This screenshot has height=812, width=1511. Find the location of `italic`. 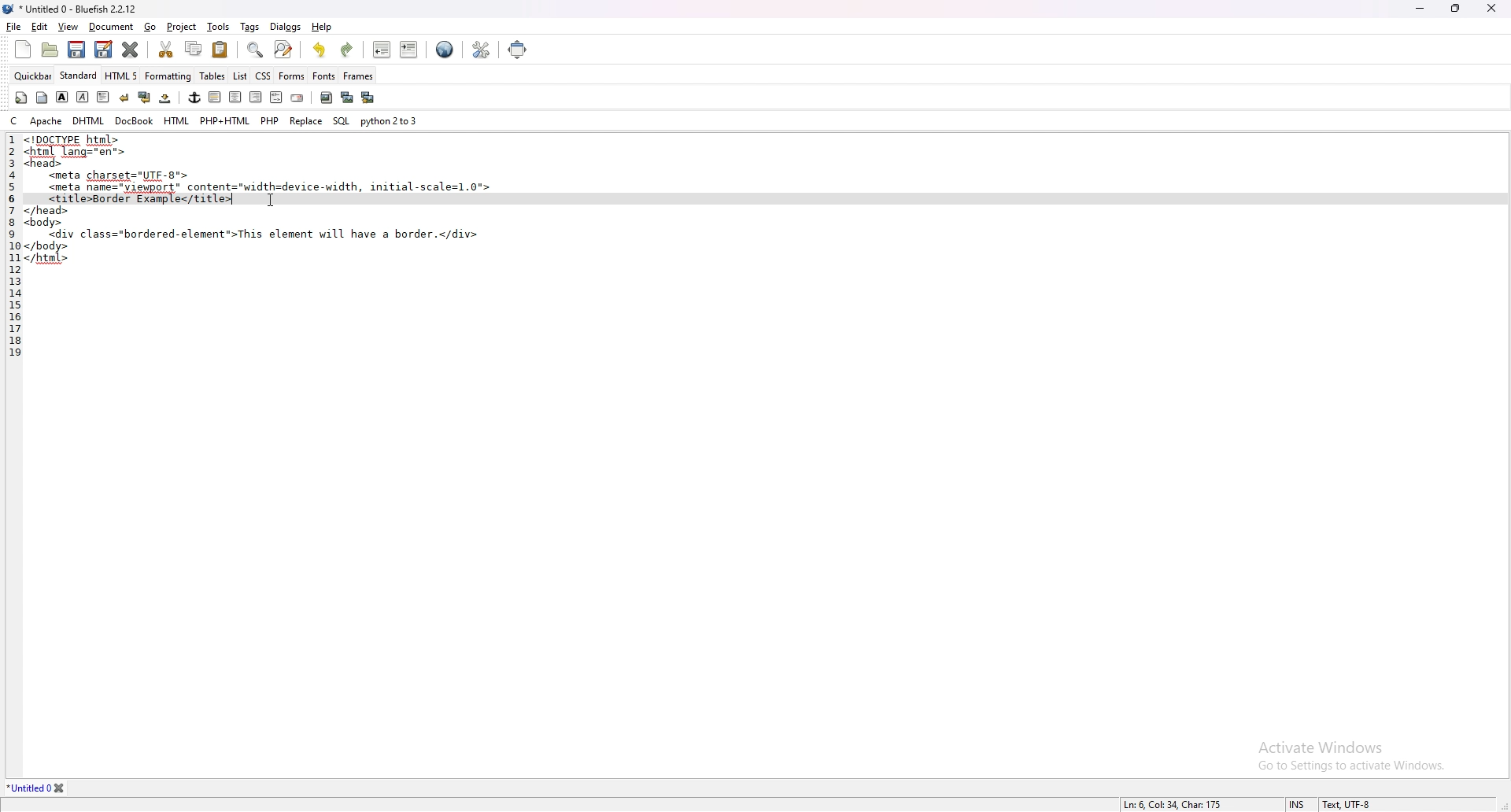

italic is located at coordinates (82, 97).